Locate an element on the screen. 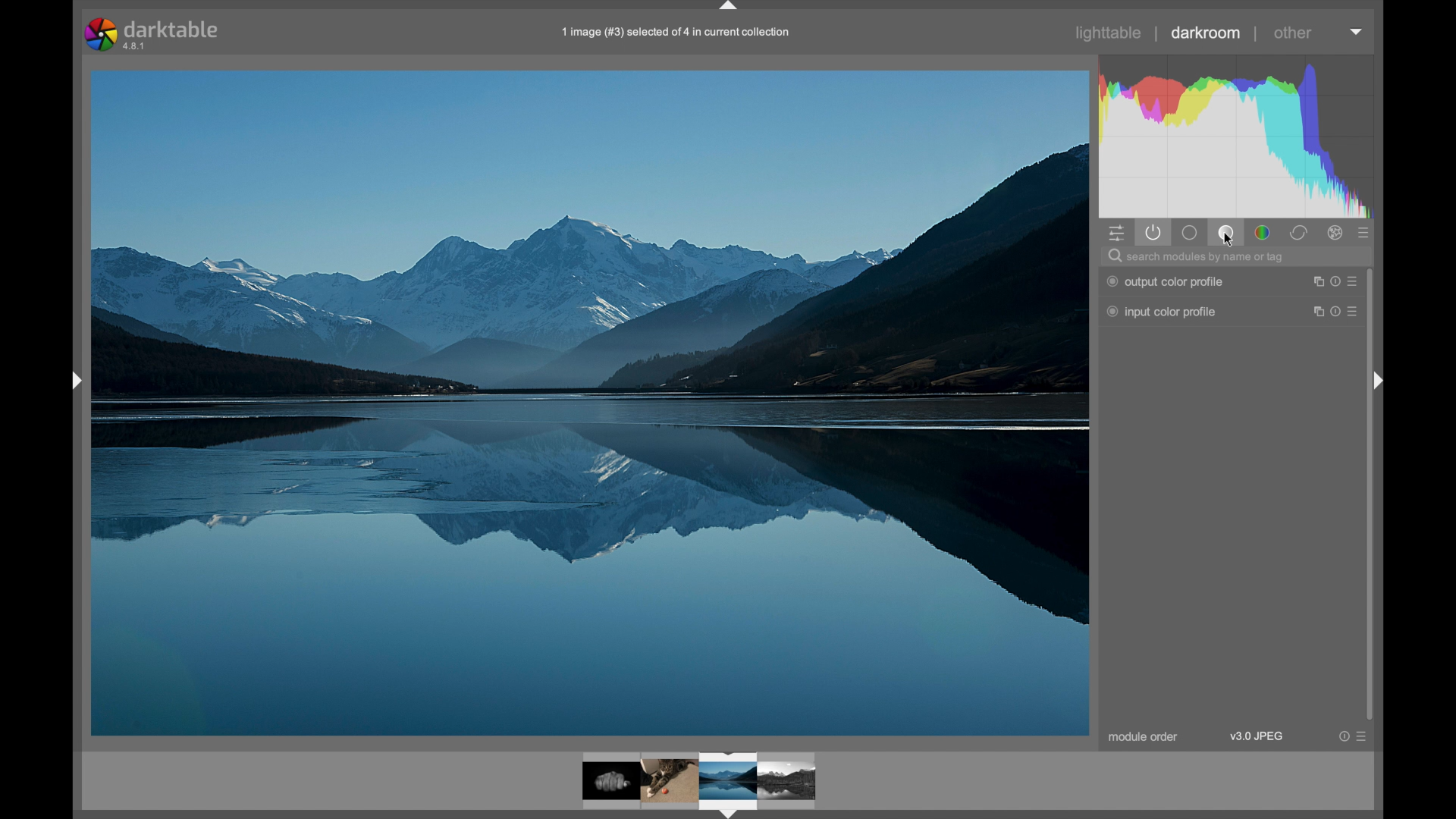 The width and height of the screenshot is (1456, 819). drag handle is located at coordinates (1379, 381).